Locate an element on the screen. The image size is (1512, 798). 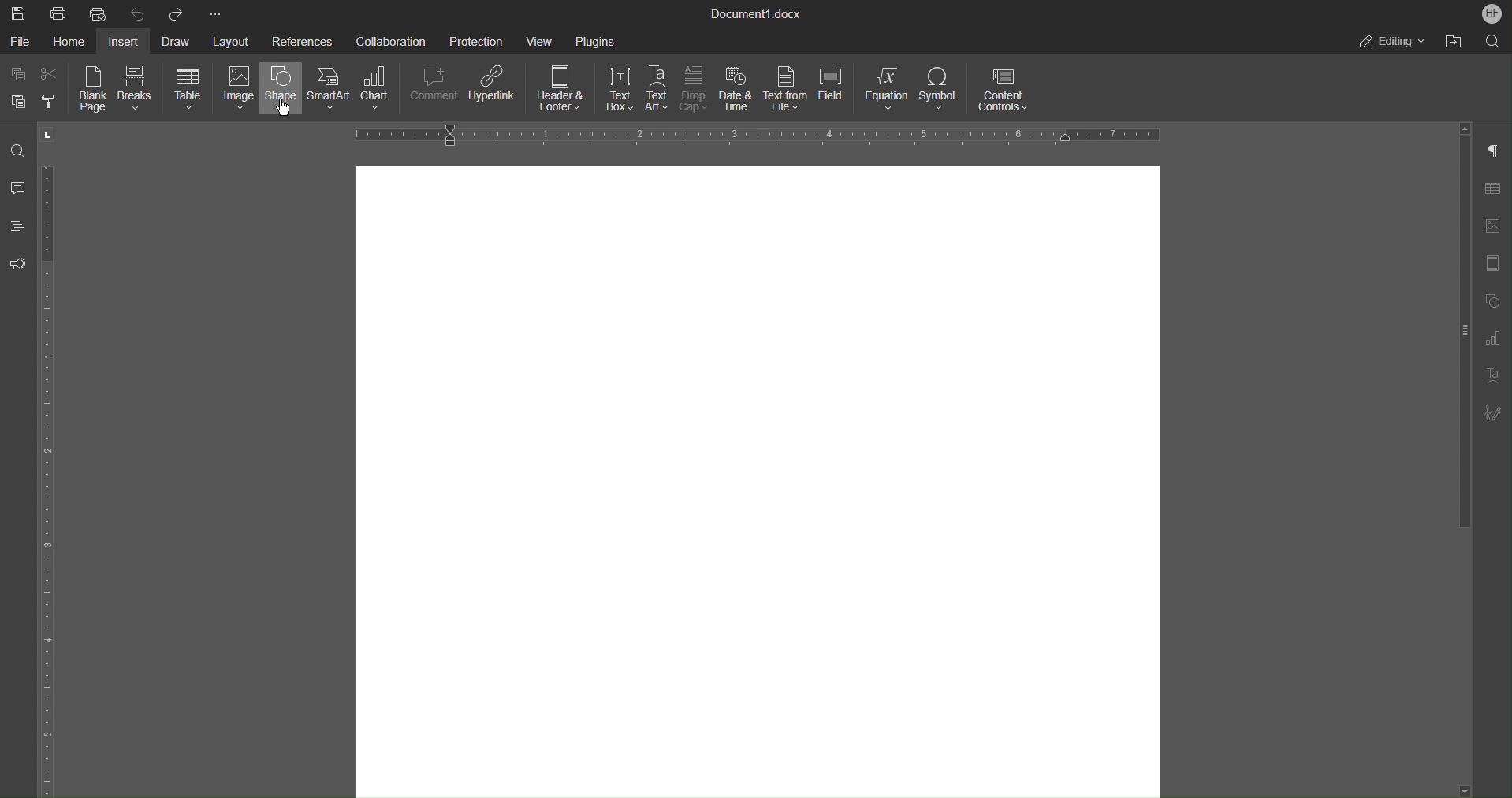
Symbol is located at coordinates (941, 91).